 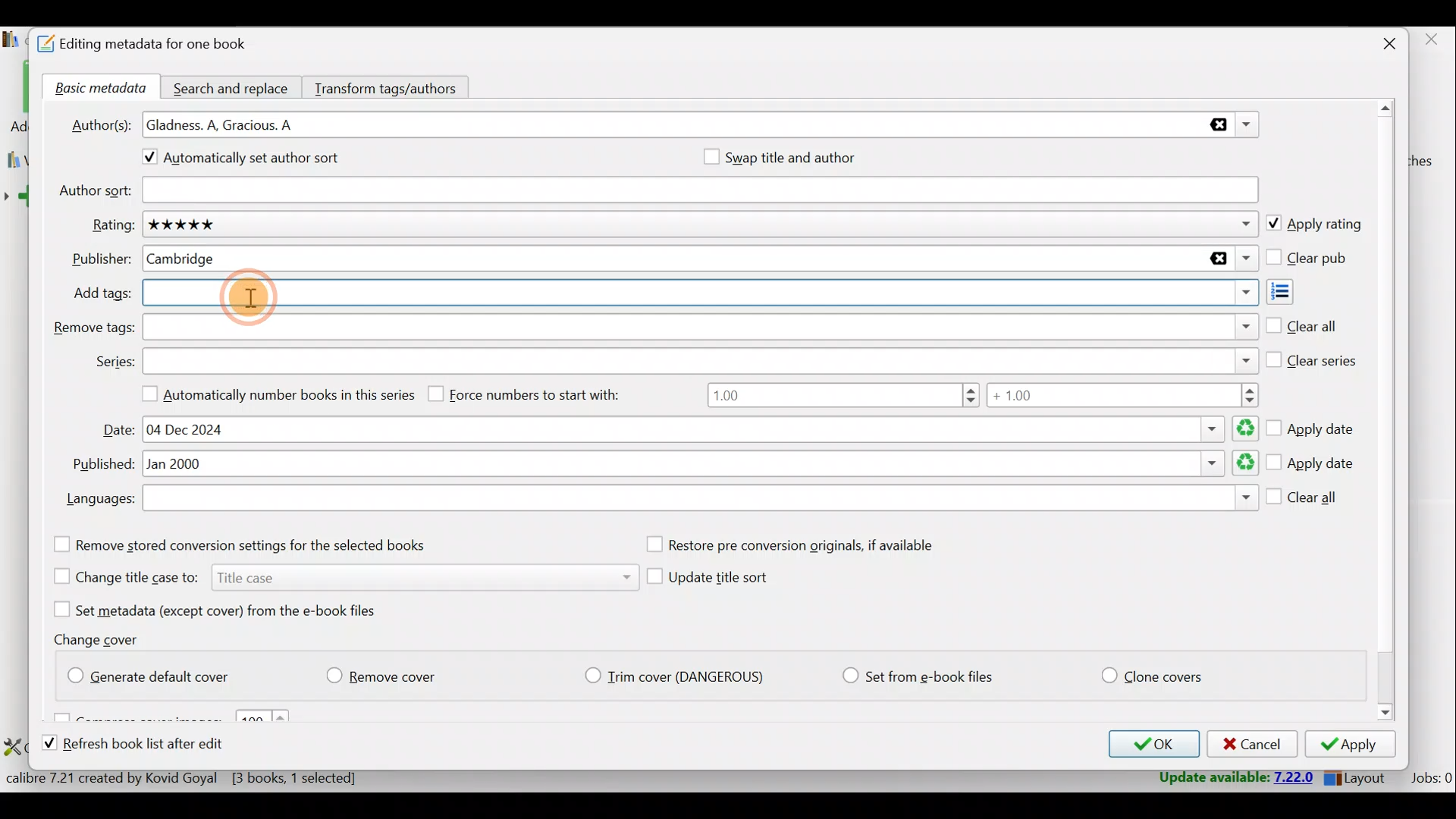 I want to click on Author sort:, so click(x=93, y=191).